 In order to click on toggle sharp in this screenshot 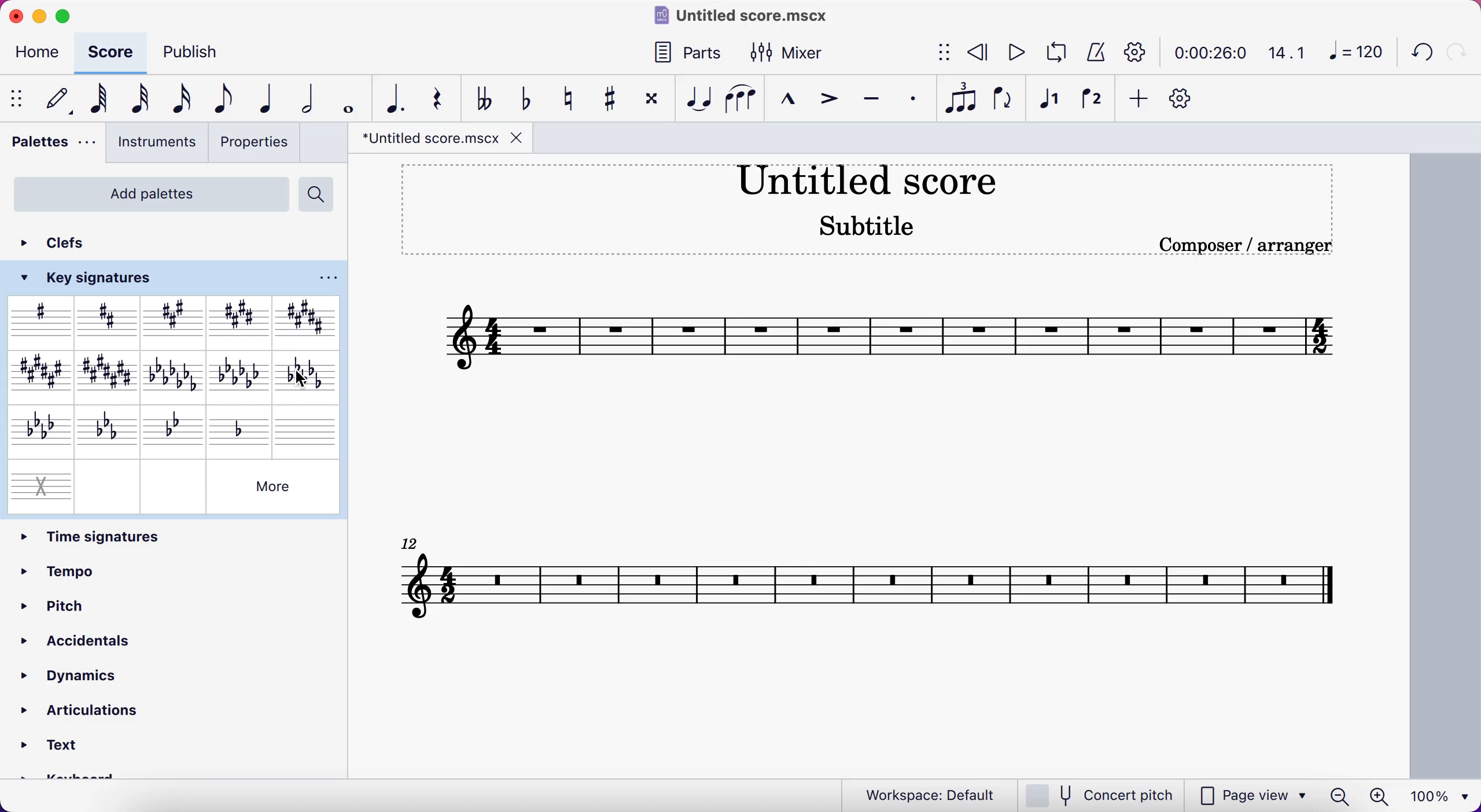, I will do `click(607, 101)`.